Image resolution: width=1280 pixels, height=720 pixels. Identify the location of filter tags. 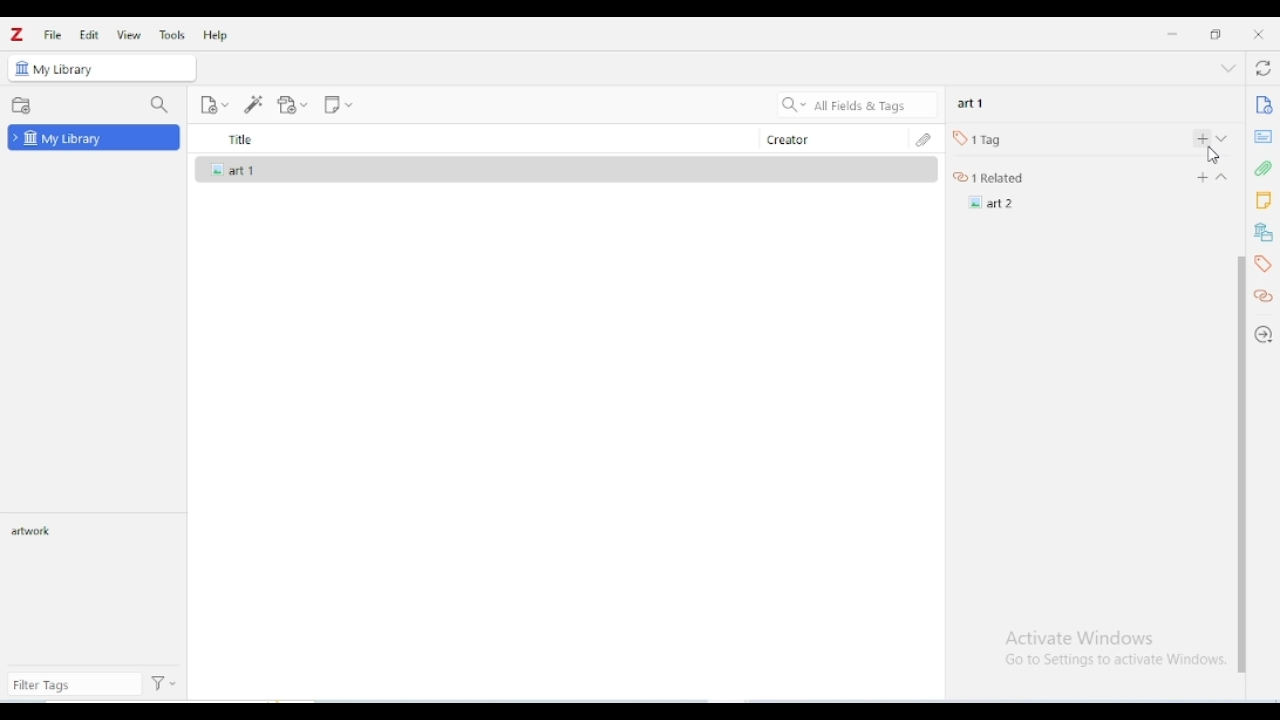
(75, 685).